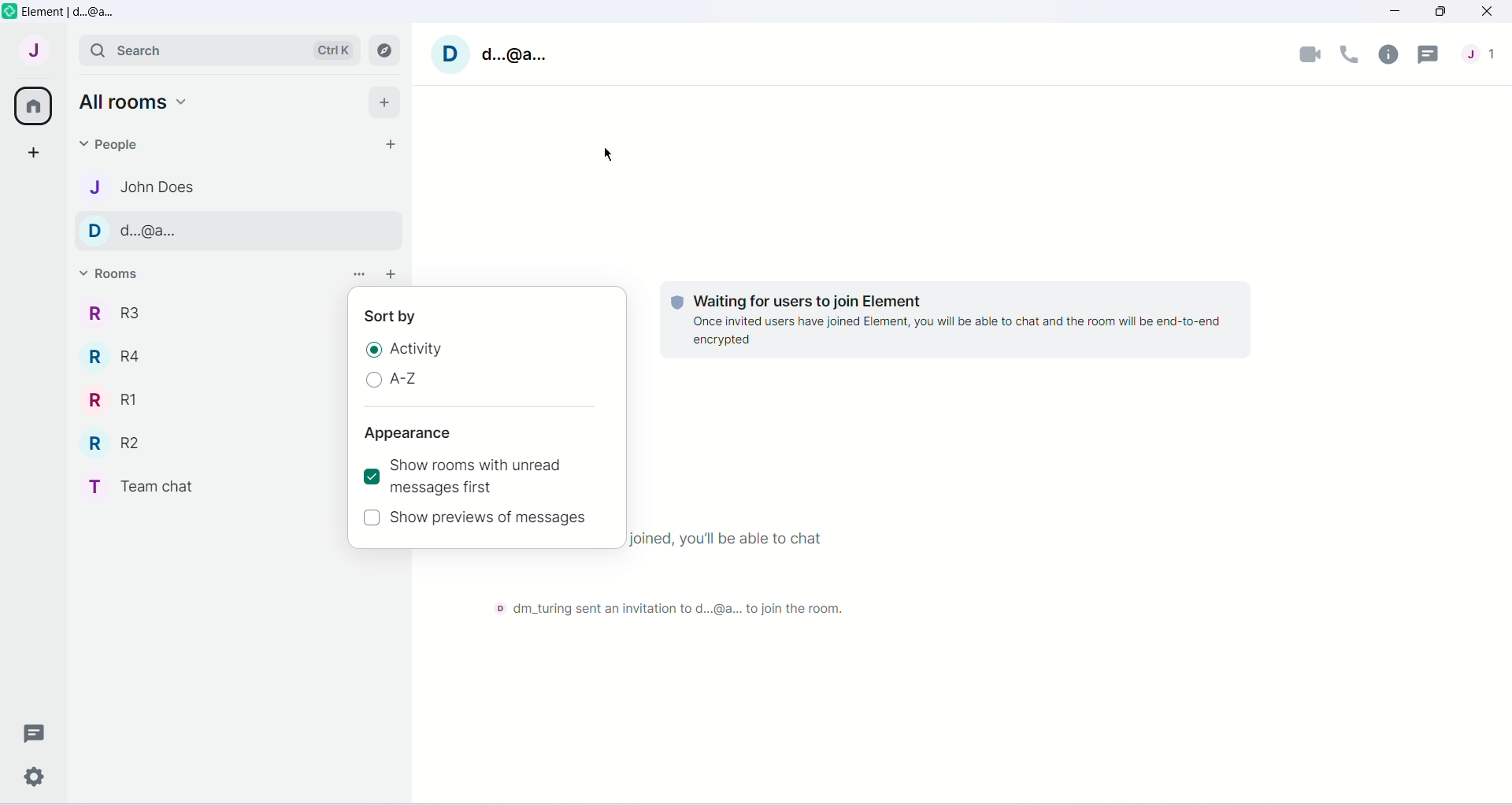 Image resolution: width=1512 pixels, height=805 pixels. What do you see at coordinates (1350, 54) in the screenshot?
I see `Voice Call` at bounding box center [1350, 54].